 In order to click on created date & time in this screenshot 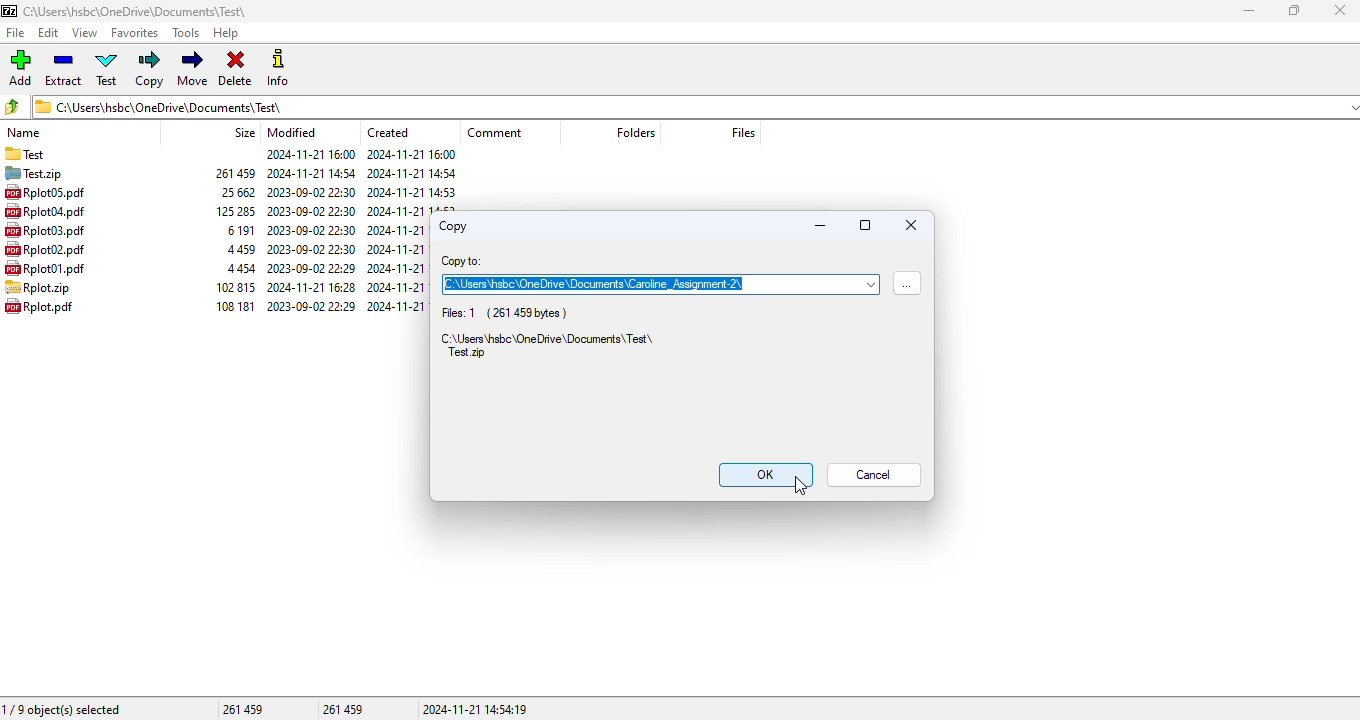, I will do `click(412, 173)`.